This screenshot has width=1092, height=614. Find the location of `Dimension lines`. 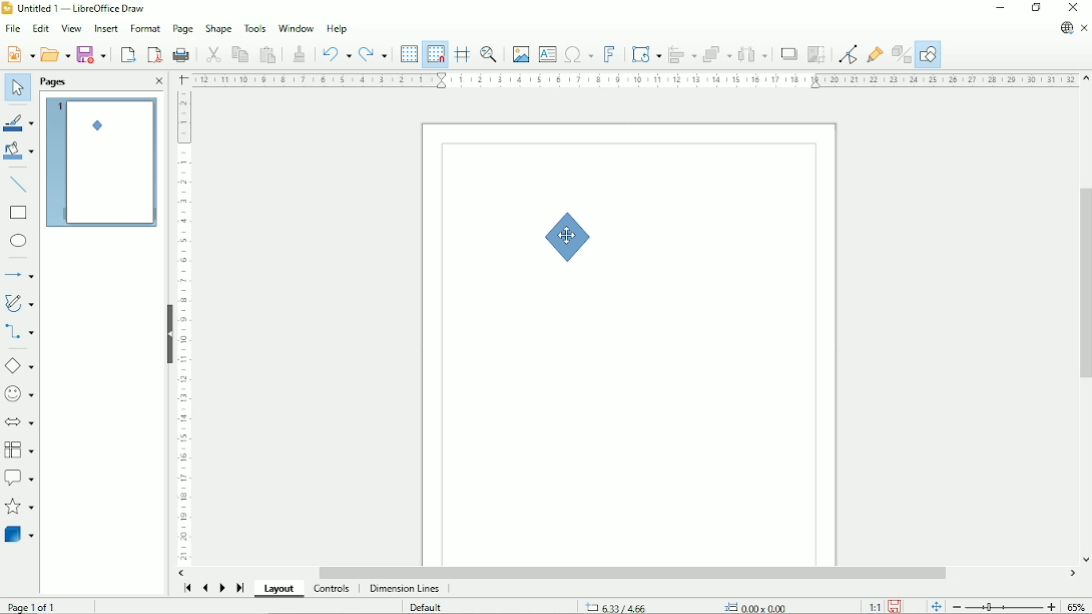

Dimension lines is located at coordinates (406, 589).